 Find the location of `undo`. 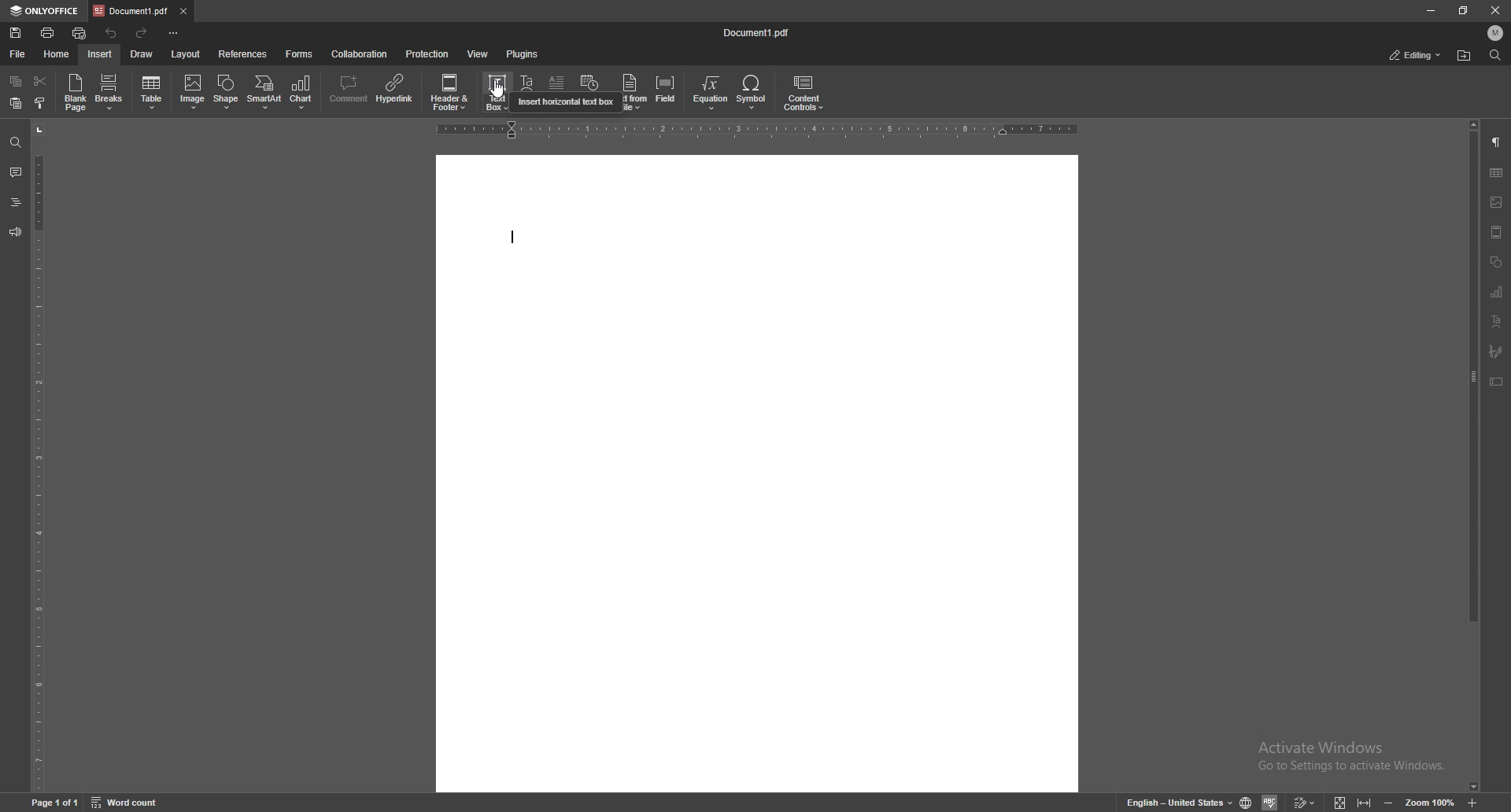

undo is located at coordinates (113, 33).